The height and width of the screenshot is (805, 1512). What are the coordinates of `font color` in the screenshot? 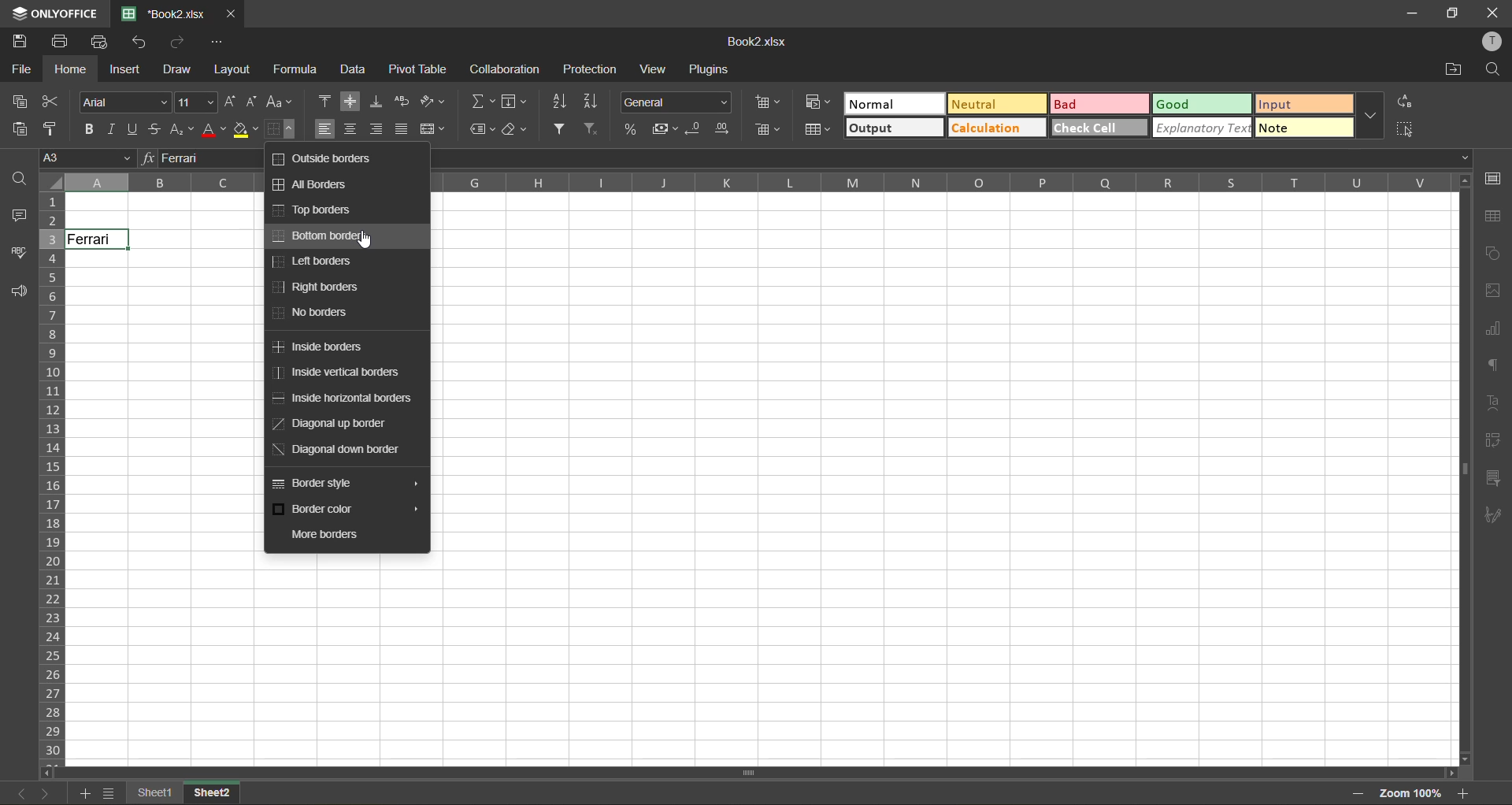 It's located at (215, 130).